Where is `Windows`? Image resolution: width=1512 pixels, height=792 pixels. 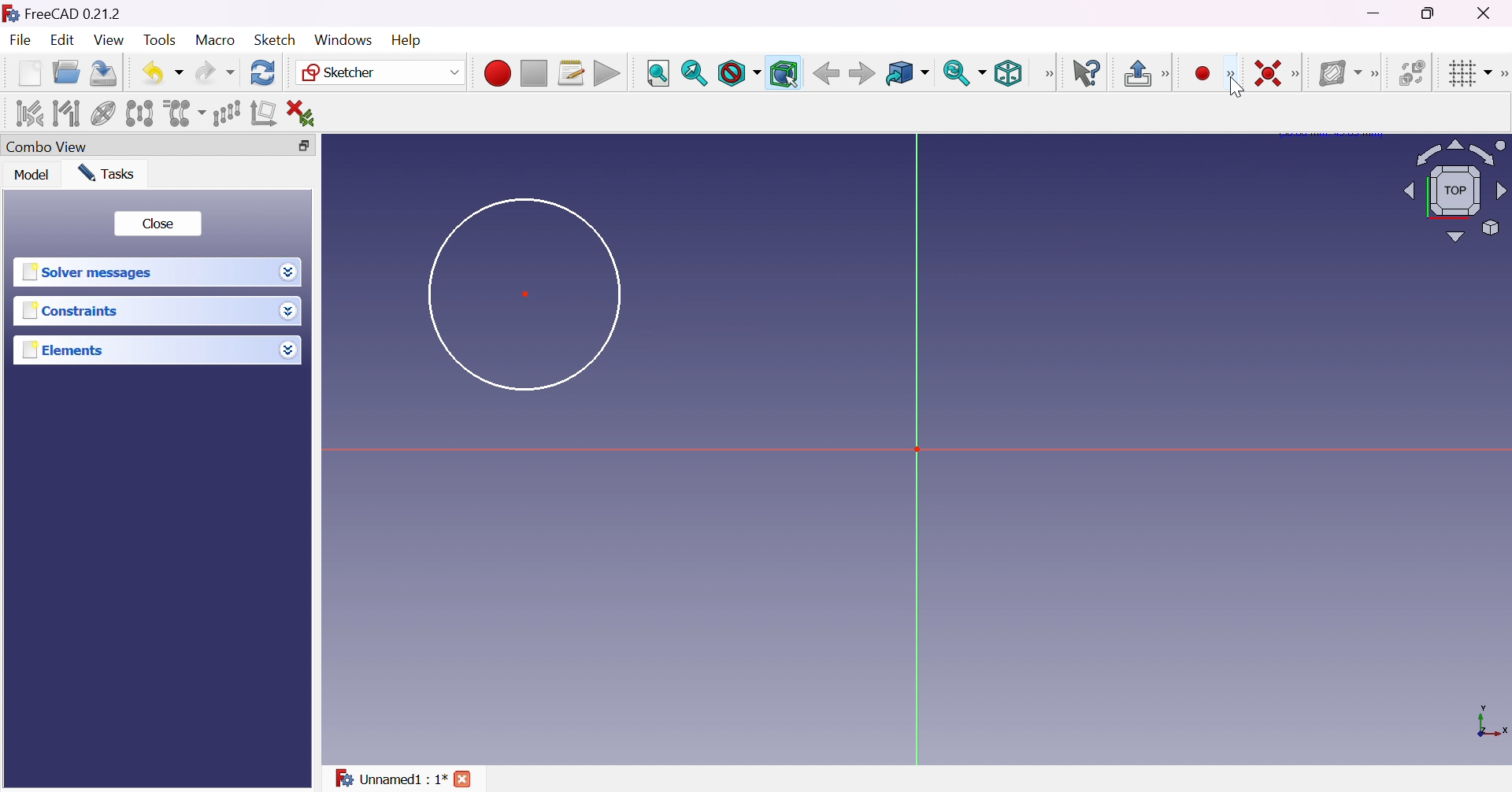 Windows is located at coordinates (342, 39).